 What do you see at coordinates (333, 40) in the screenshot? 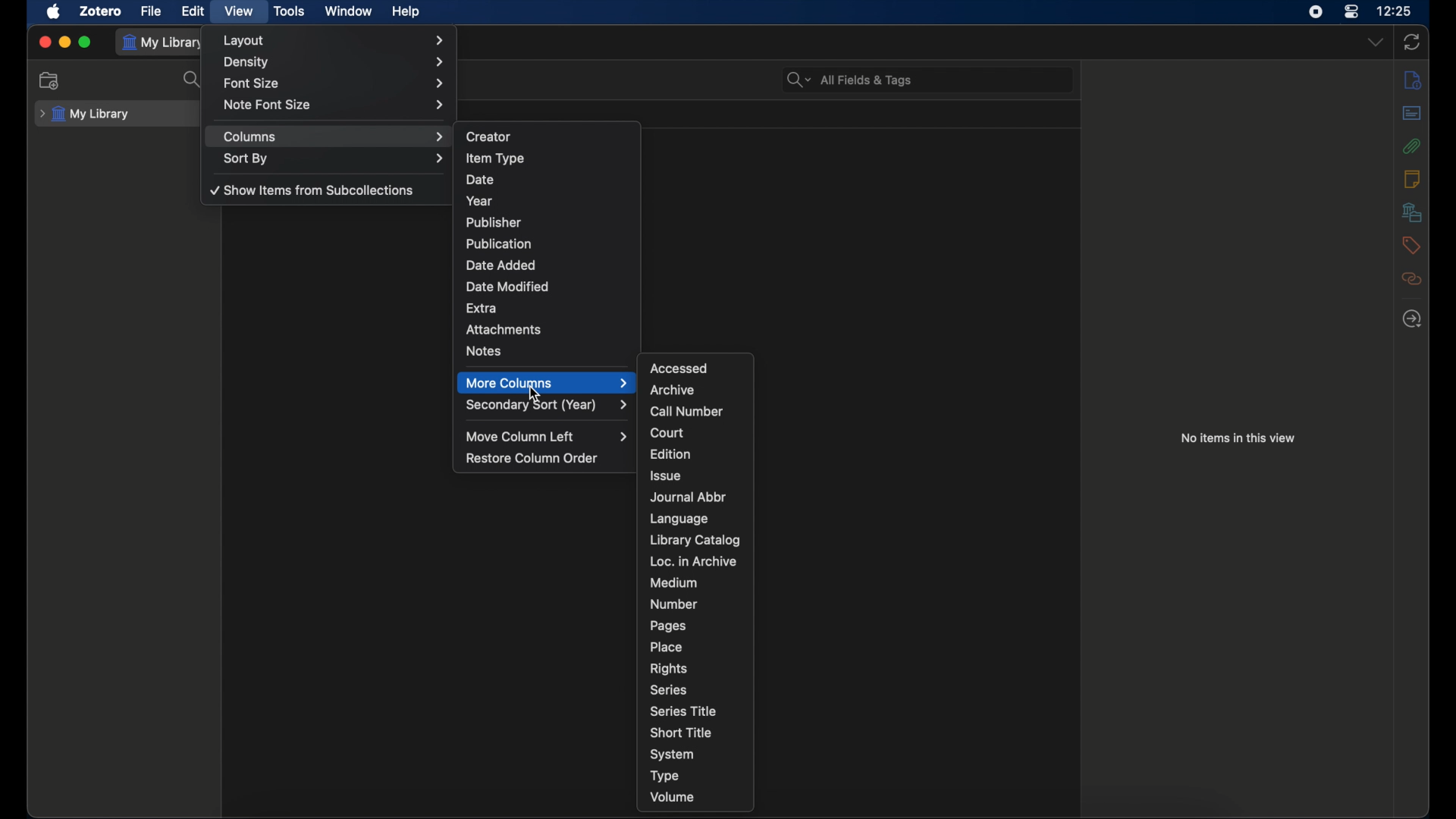
I see `layout` at bounding box center [333, 40].